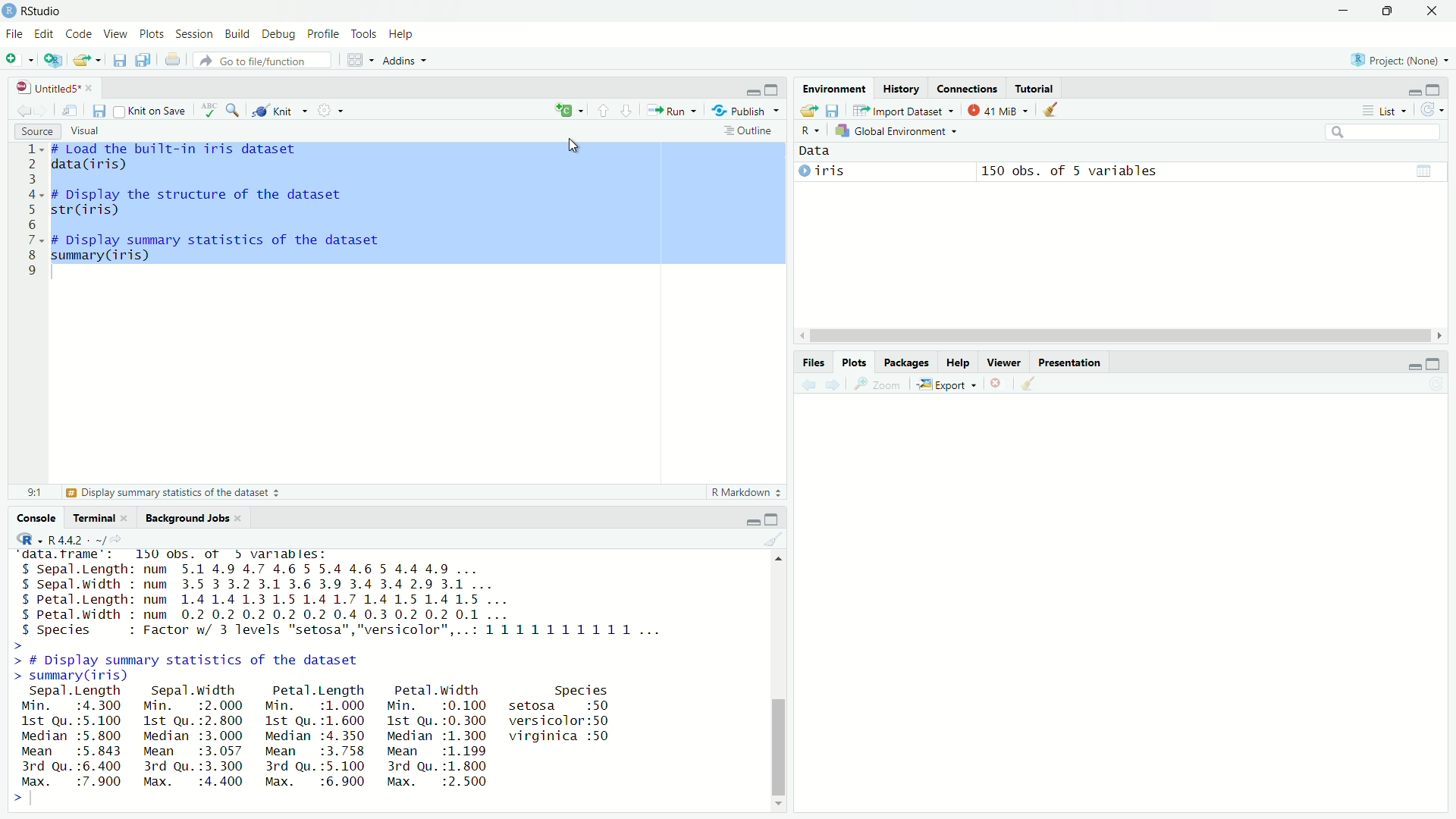 The width and height of the screenshot is (1456, 819). I want to click on Remove selected, so click(999, 383).